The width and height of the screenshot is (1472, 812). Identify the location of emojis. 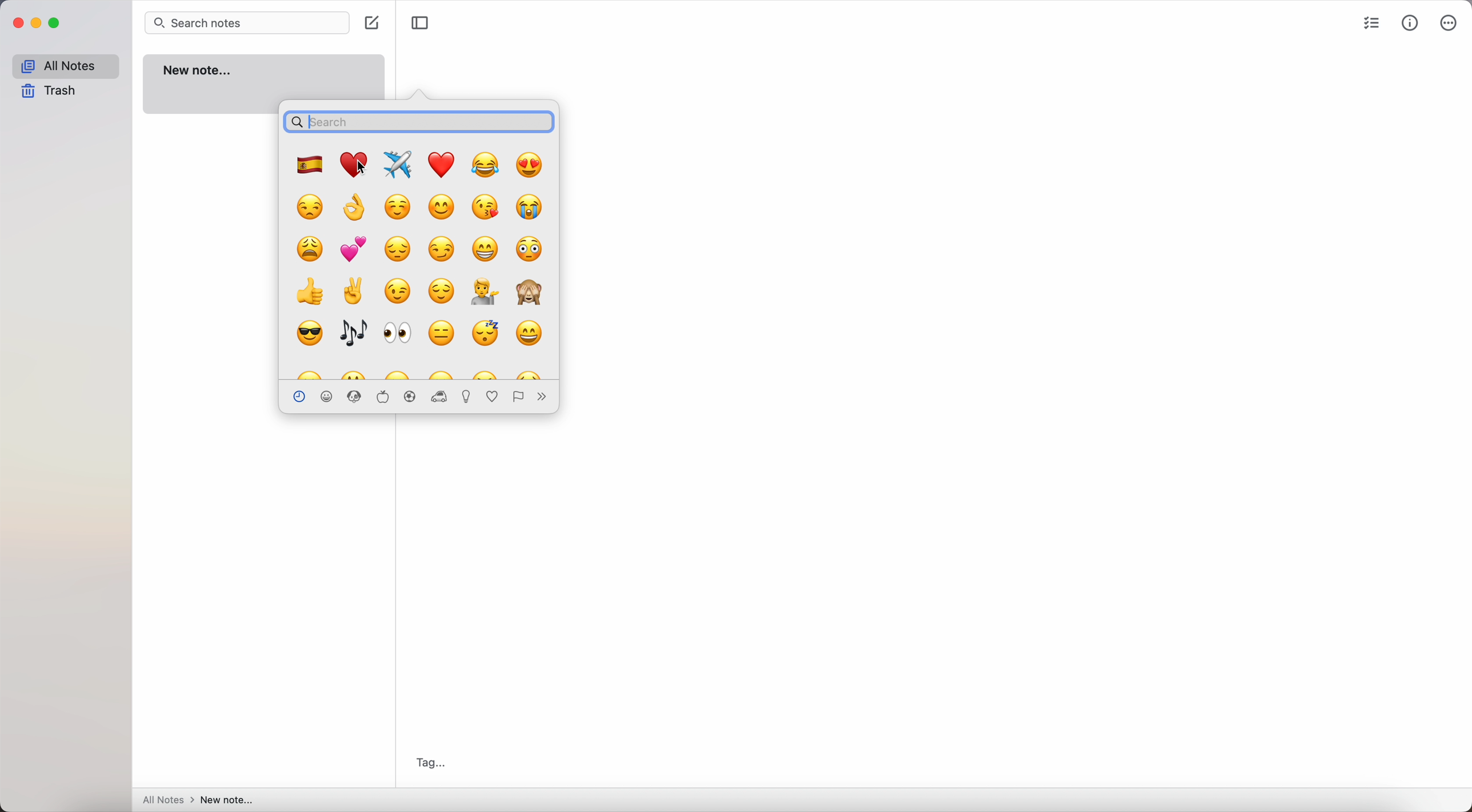
(354, 395).